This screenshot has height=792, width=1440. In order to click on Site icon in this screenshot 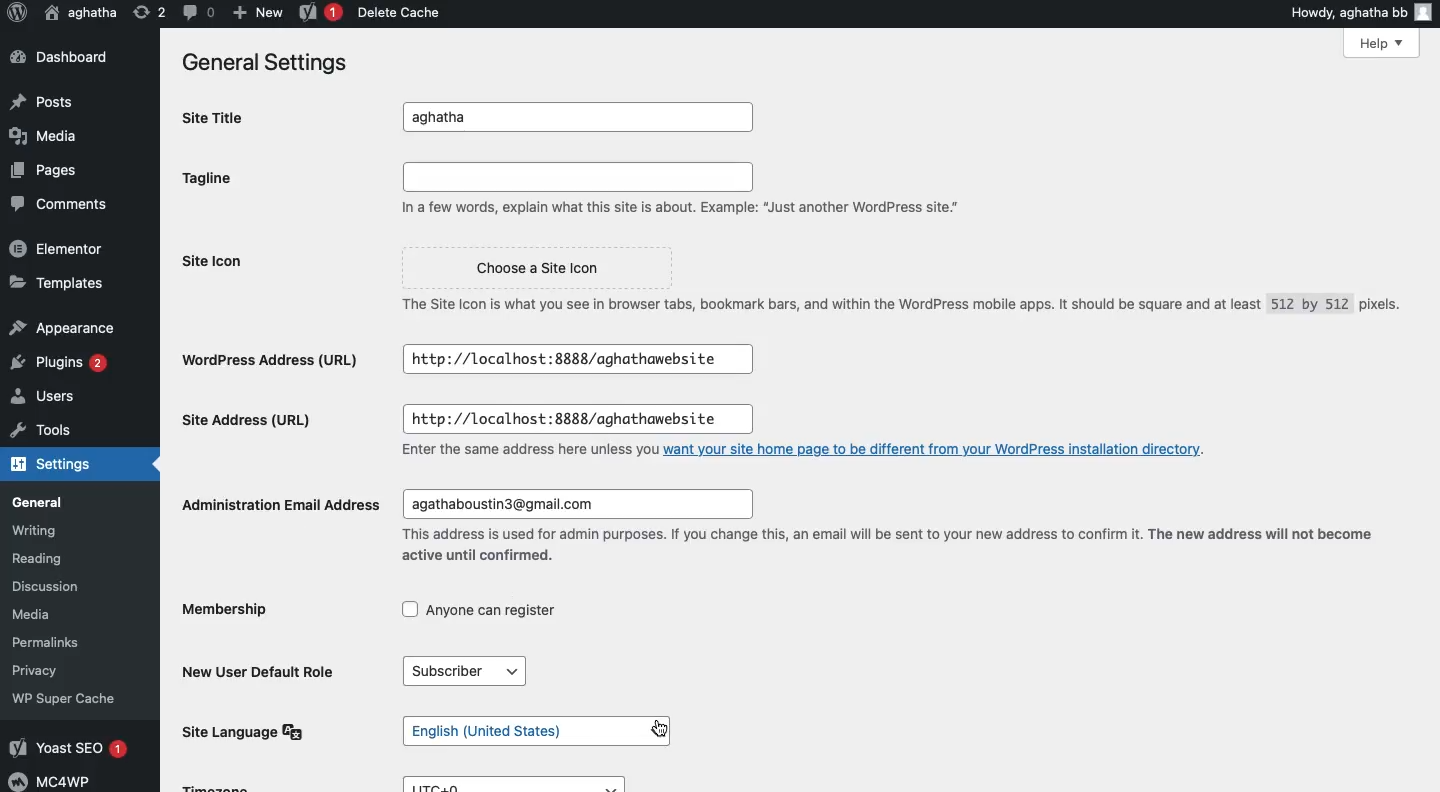, I will do `click(219, 261)`.